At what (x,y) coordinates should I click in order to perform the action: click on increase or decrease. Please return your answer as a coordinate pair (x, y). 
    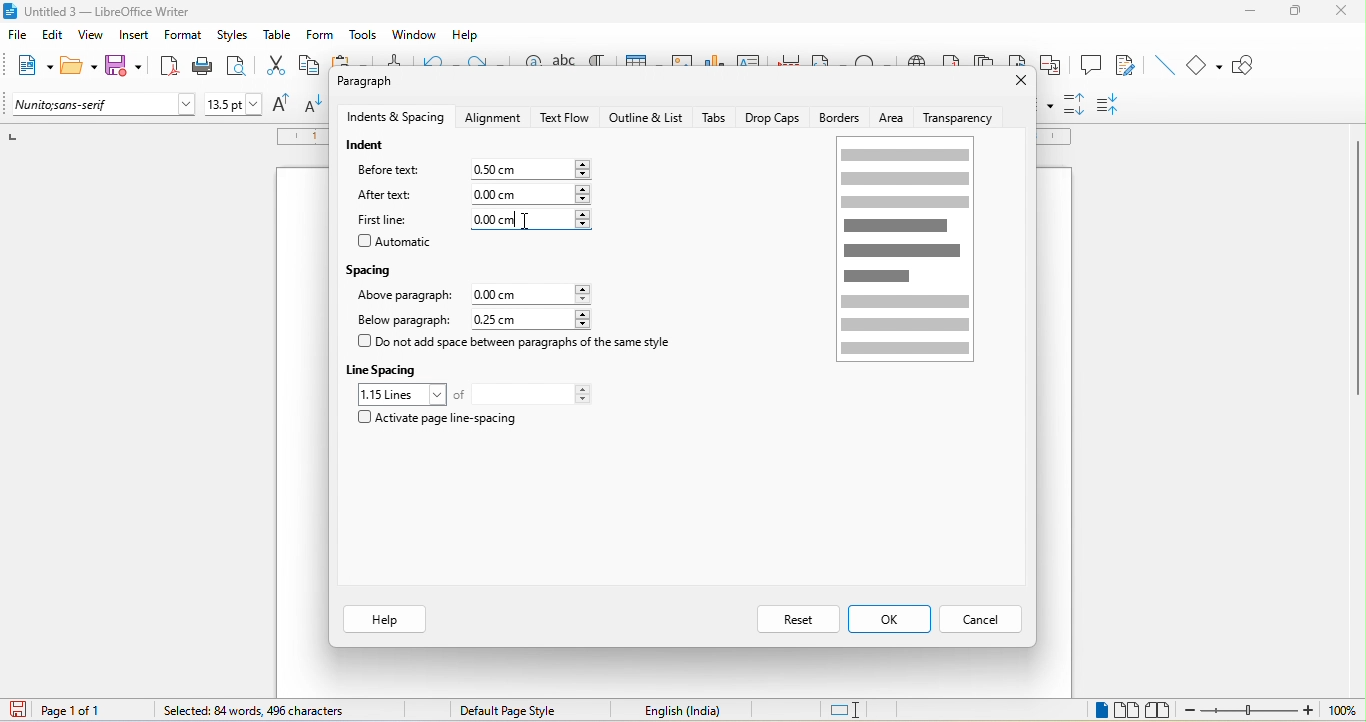
    Looking at the image, I should click on (582, 319).